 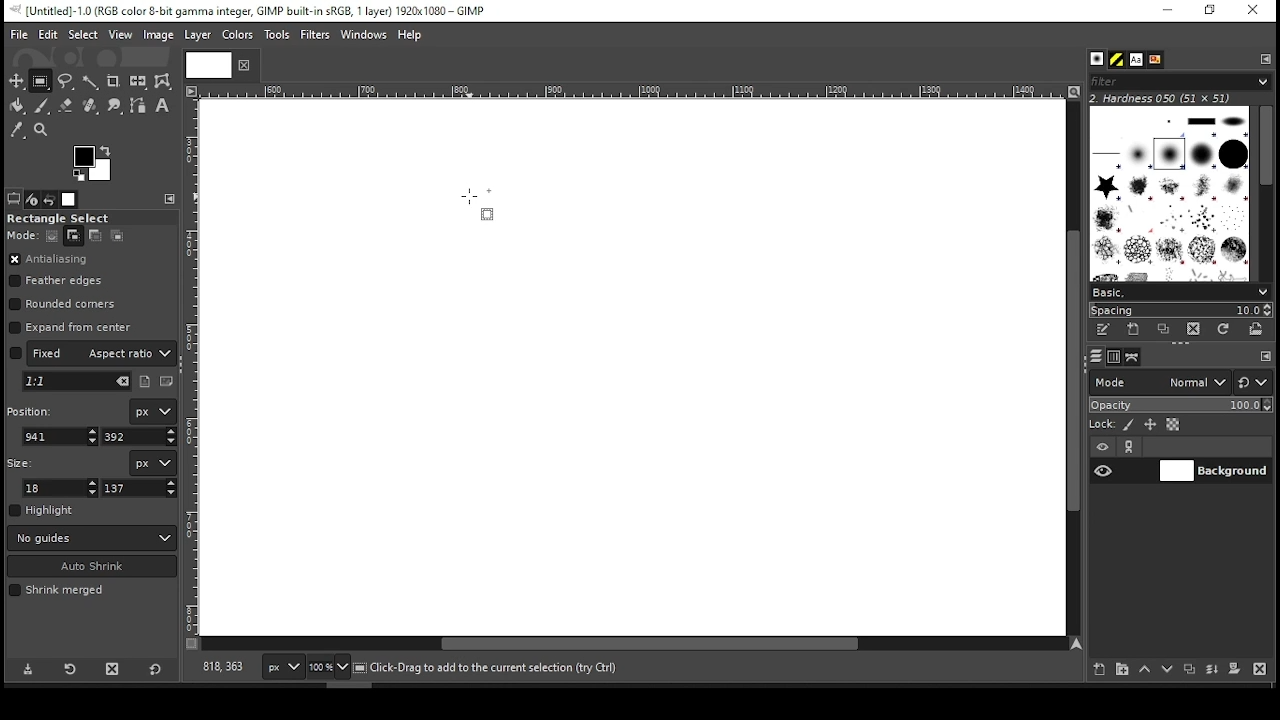 What do you see at coordinates (1169, 193) in the screenshot?
I see `brushes` at bounding box center [1169, 193].